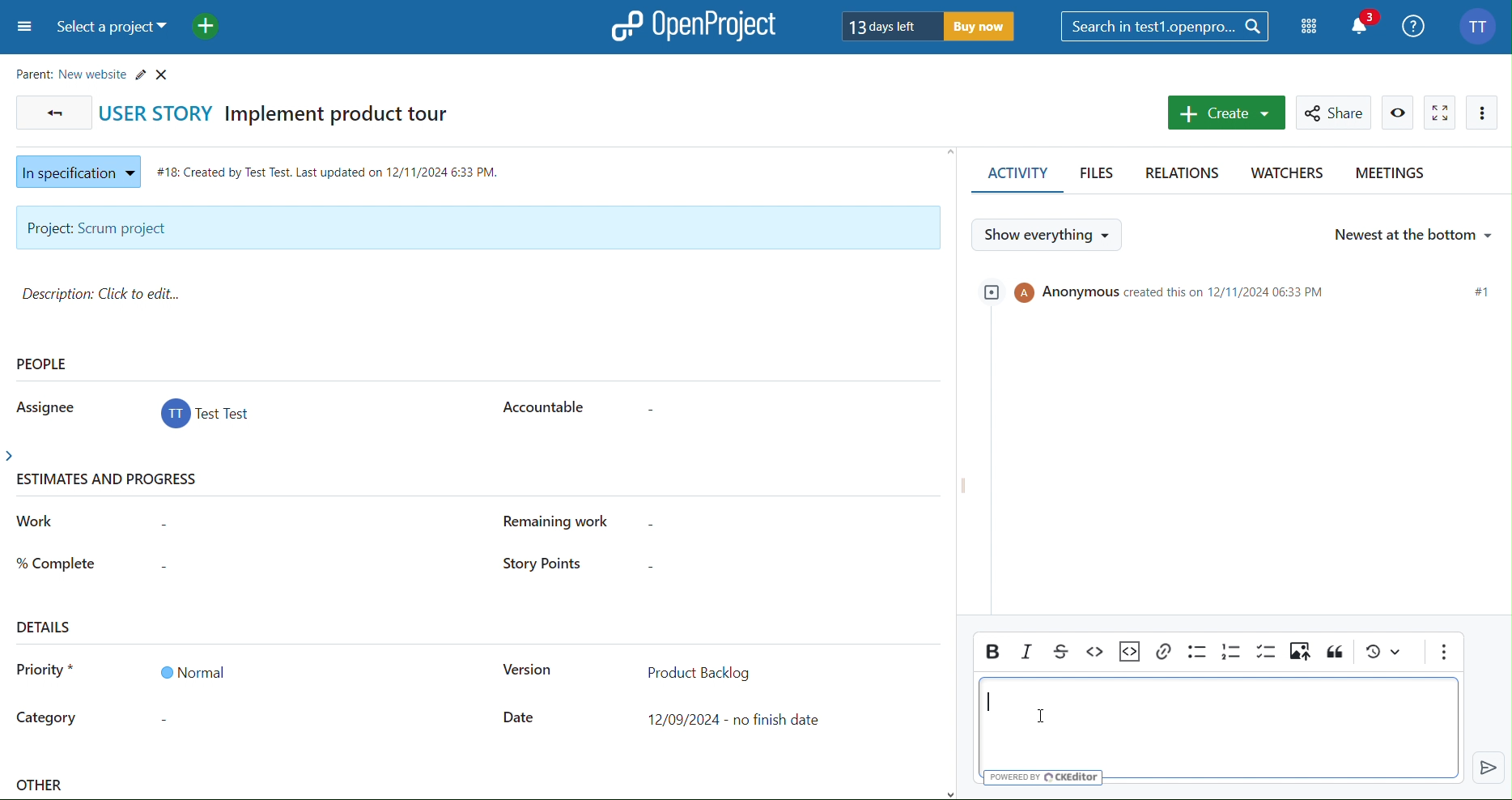 The height and width of the screenshot is (800, 1512). I want to click on 12/09/2024, so click(738, 720).